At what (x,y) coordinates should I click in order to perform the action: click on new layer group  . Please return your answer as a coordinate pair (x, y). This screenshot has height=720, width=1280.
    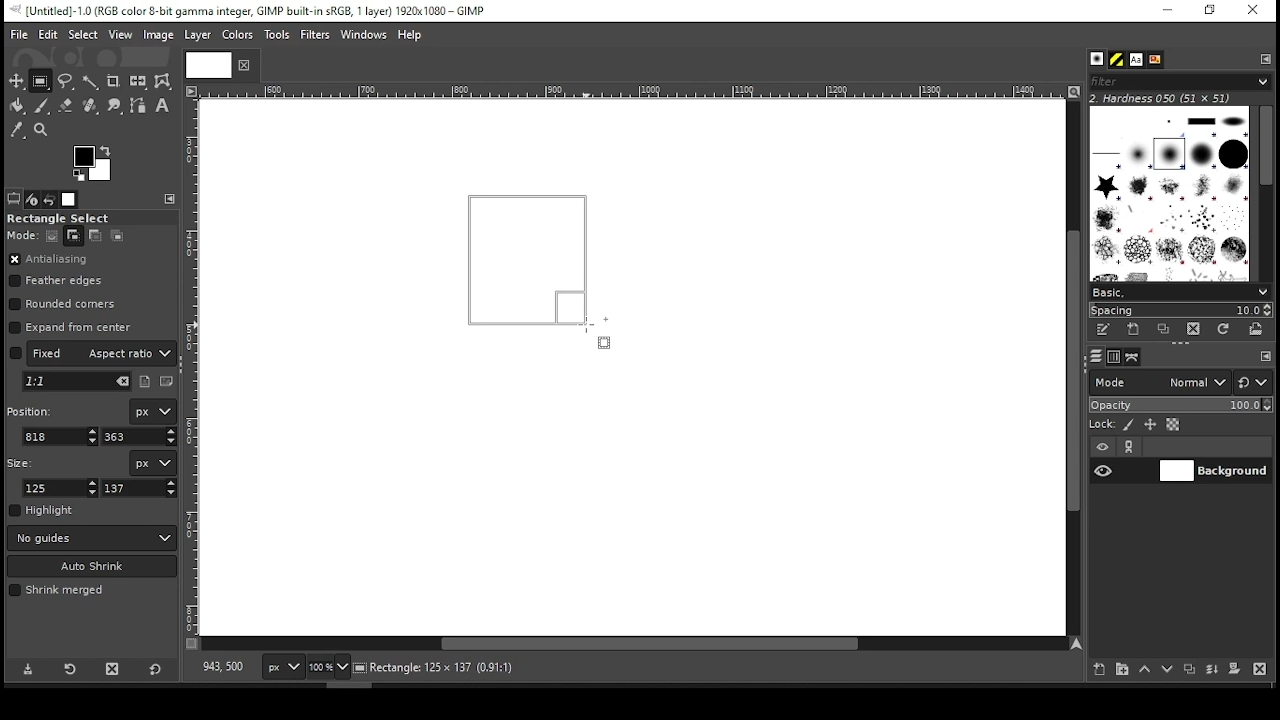
    Looking at the image, I should click on (1121, 669).